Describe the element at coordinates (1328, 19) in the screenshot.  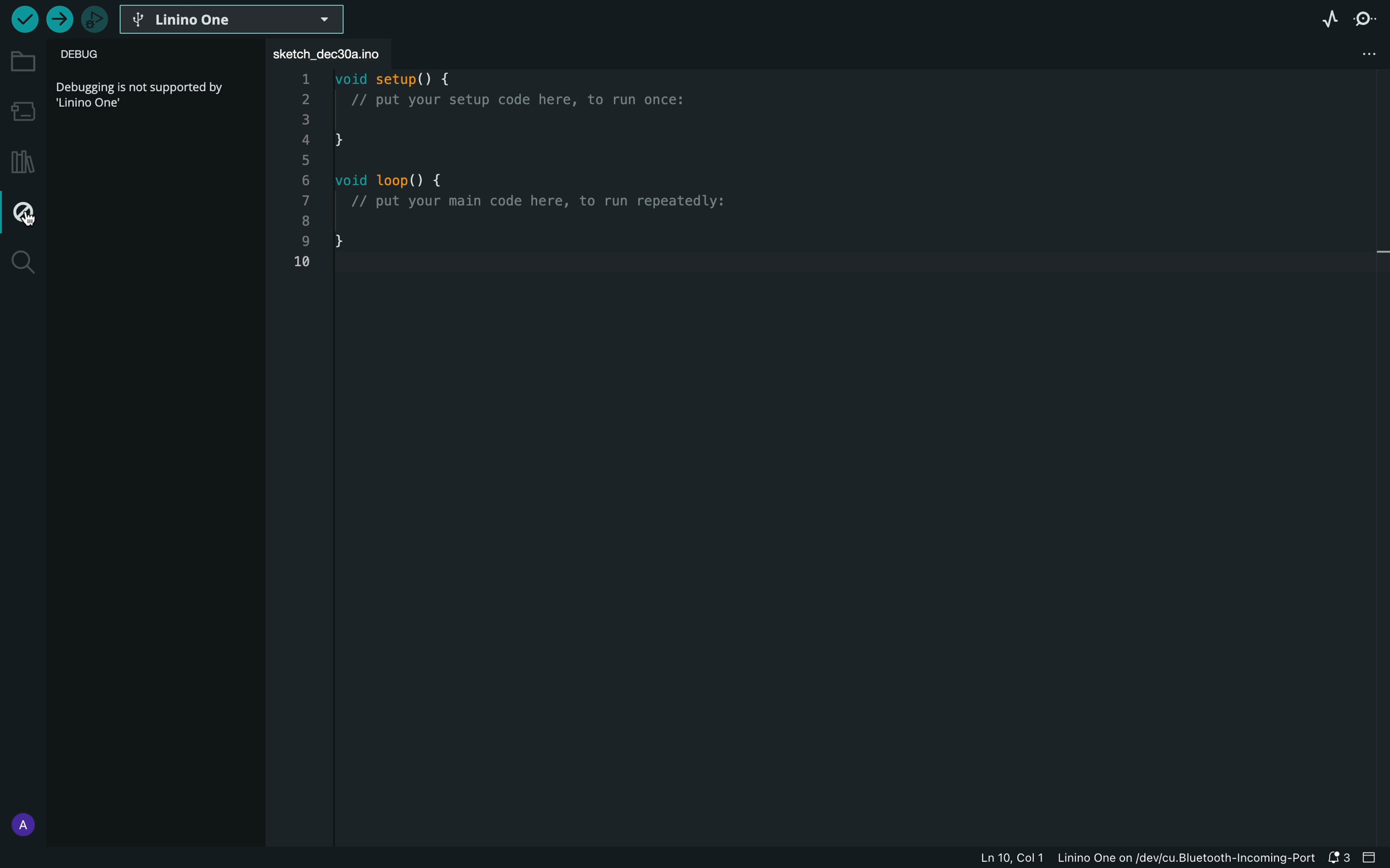
I see `serial plotter` at that location.